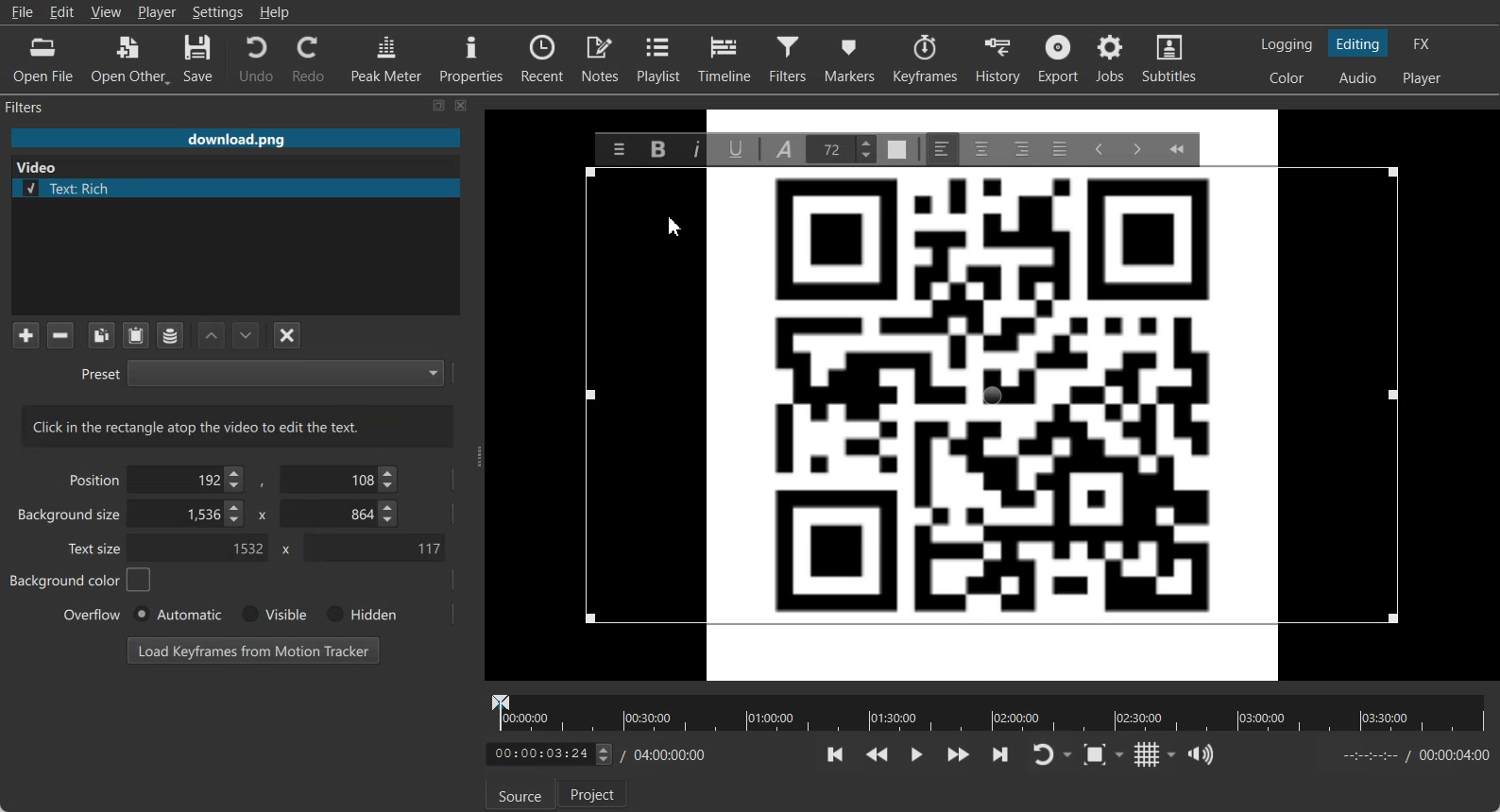 Image resolution: width=1500 pixels, height=812 pixels. I want to click on Collapse Toolbar, so click(1176, 148).